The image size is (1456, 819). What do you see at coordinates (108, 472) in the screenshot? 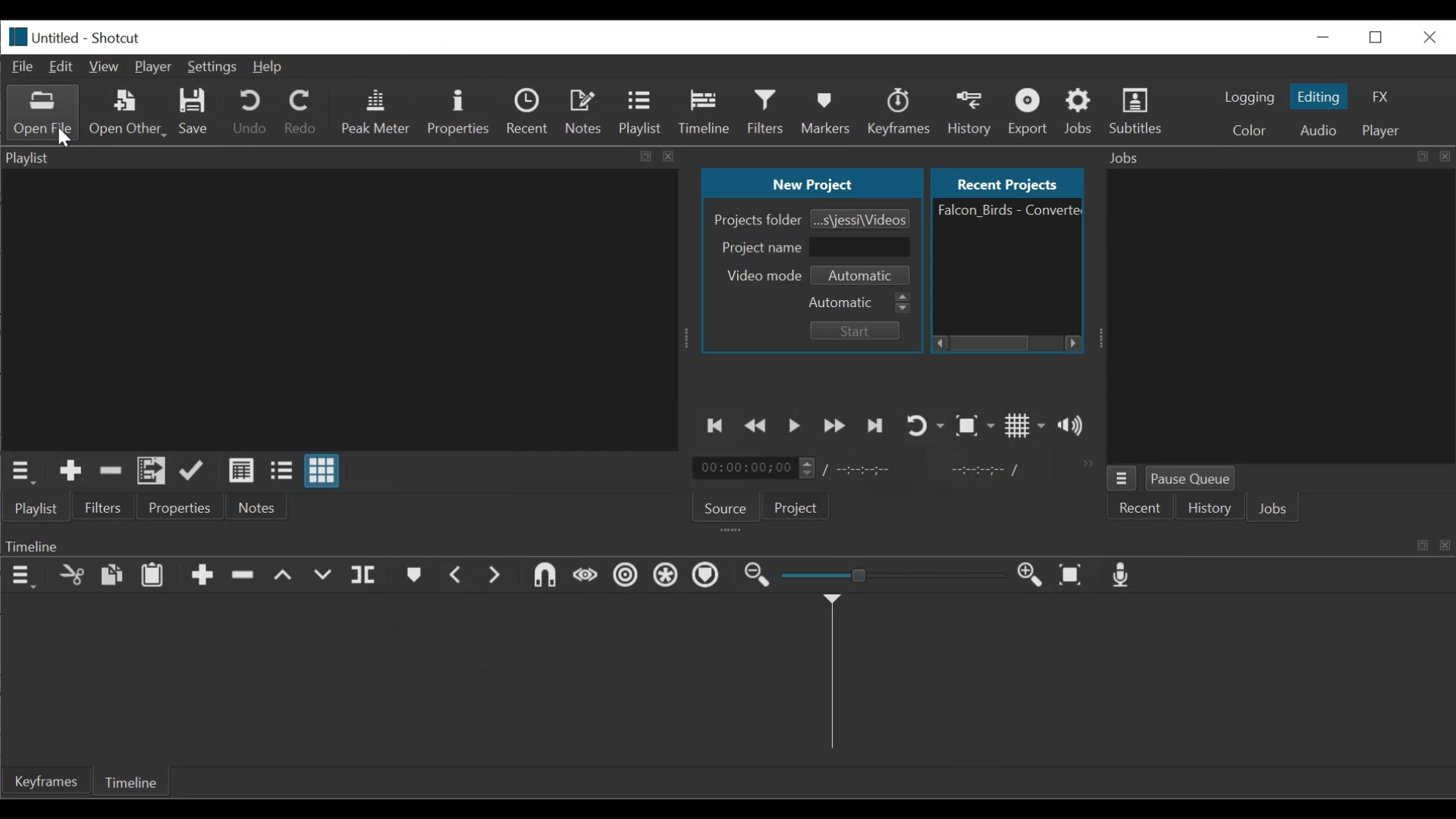
I see `Remove cut` at bounding box center [108, 472].